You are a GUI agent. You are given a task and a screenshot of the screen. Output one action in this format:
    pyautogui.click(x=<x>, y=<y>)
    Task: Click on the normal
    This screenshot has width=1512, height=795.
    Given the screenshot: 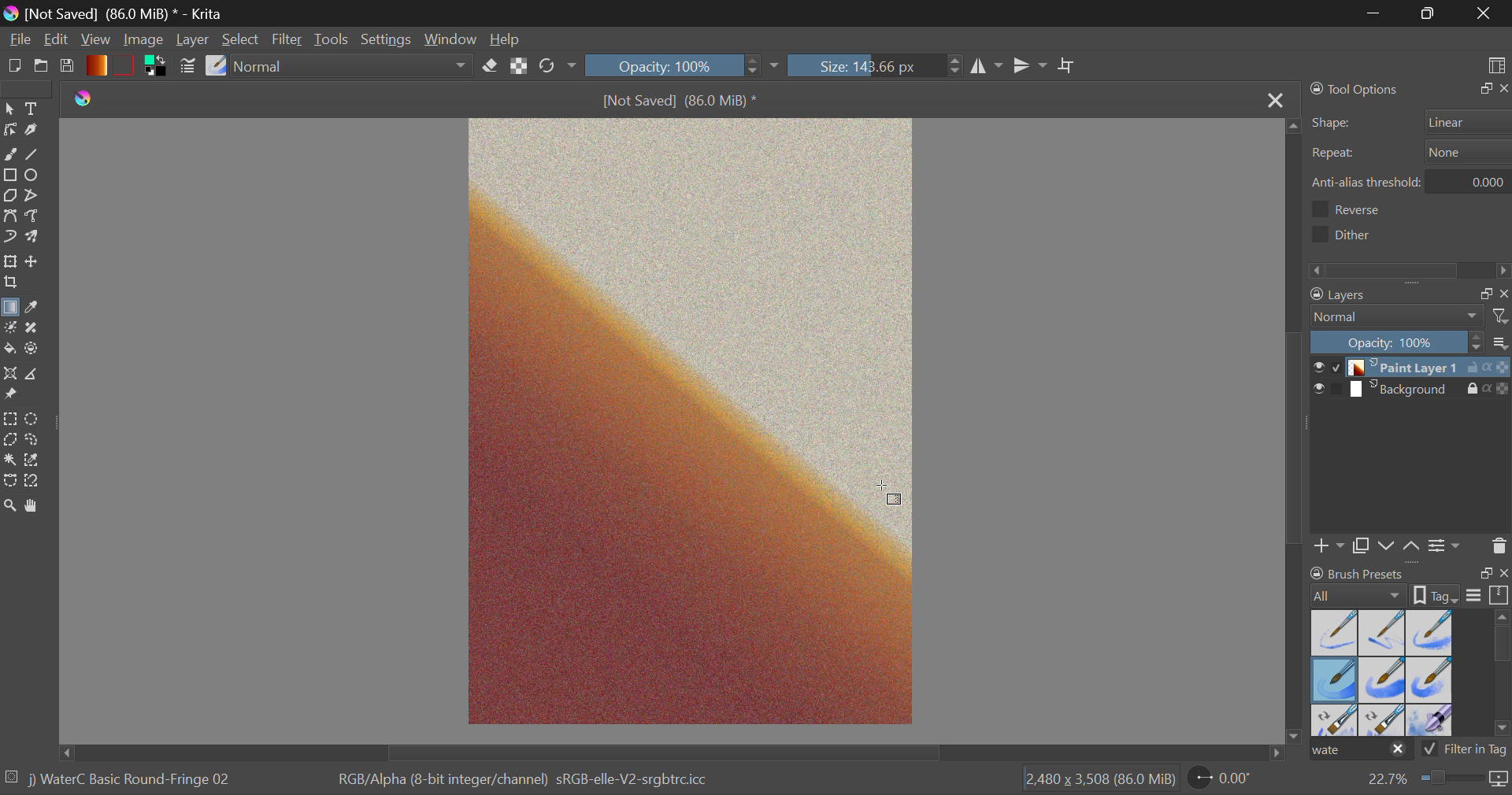 What is the action you would take?
    pyautogui.click(x=1398, y=316)
    